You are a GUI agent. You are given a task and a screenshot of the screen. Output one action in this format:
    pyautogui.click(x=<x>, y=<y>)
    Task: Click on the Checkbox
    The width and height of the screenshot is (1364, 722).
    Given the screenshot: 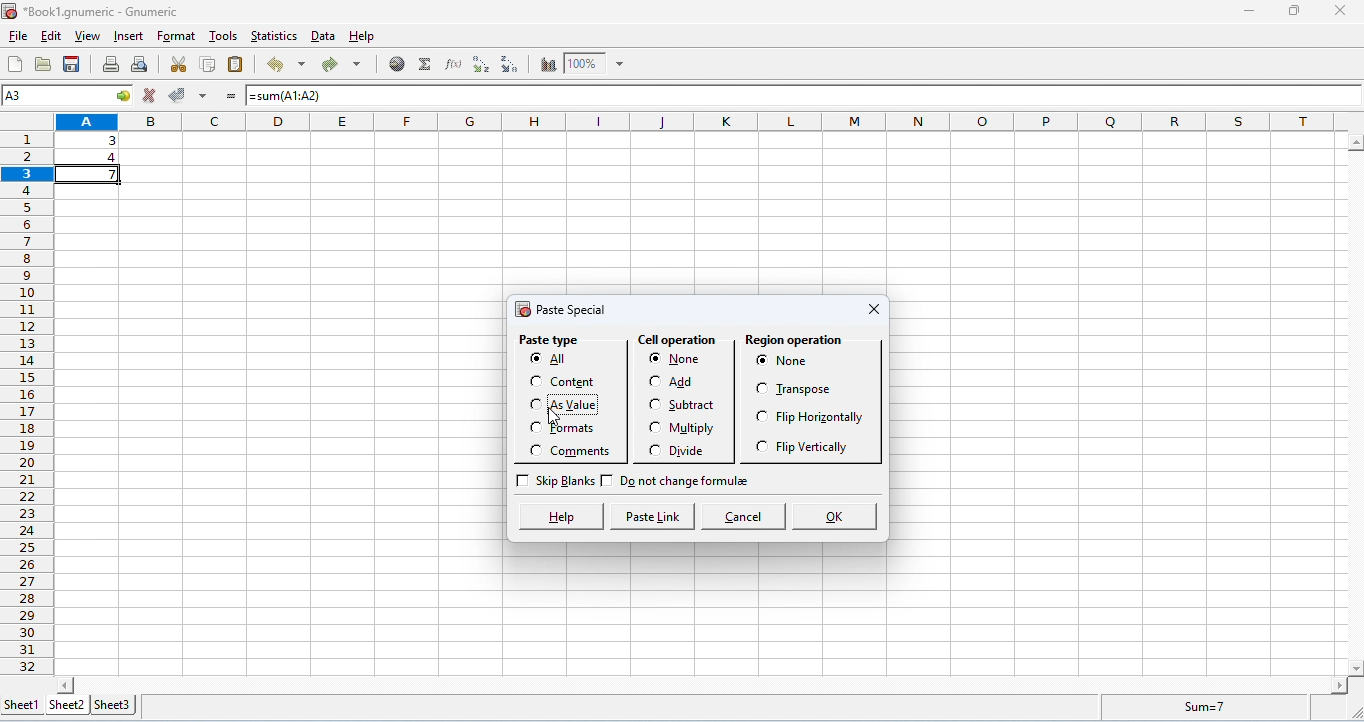 What is the action you would take?
    pyautogui.click(x=761, y=359)
    